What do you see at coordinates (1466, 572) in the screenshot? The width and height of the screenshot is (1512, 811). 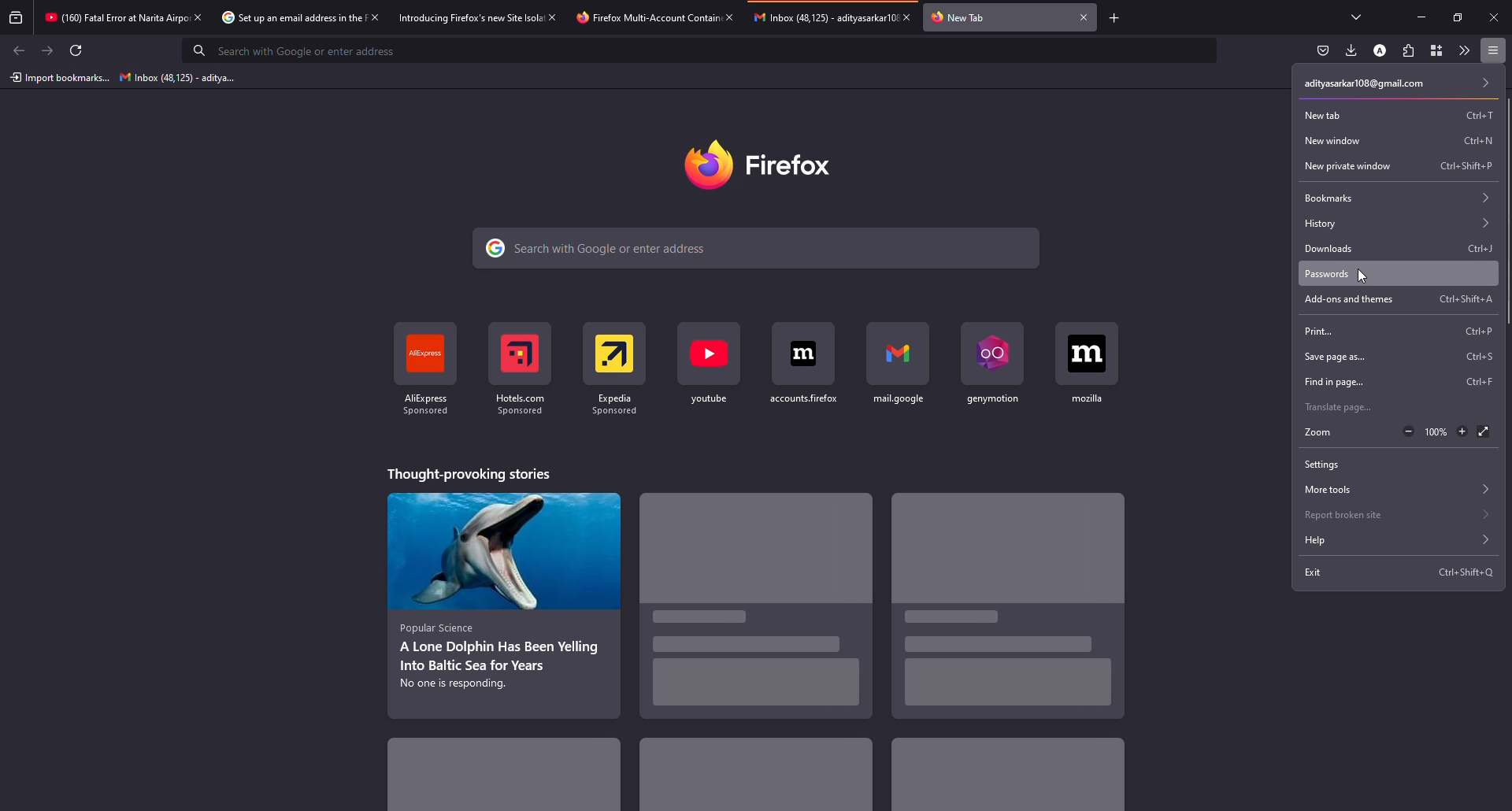 I see `shortcut` at bounding box center [1466, 572].